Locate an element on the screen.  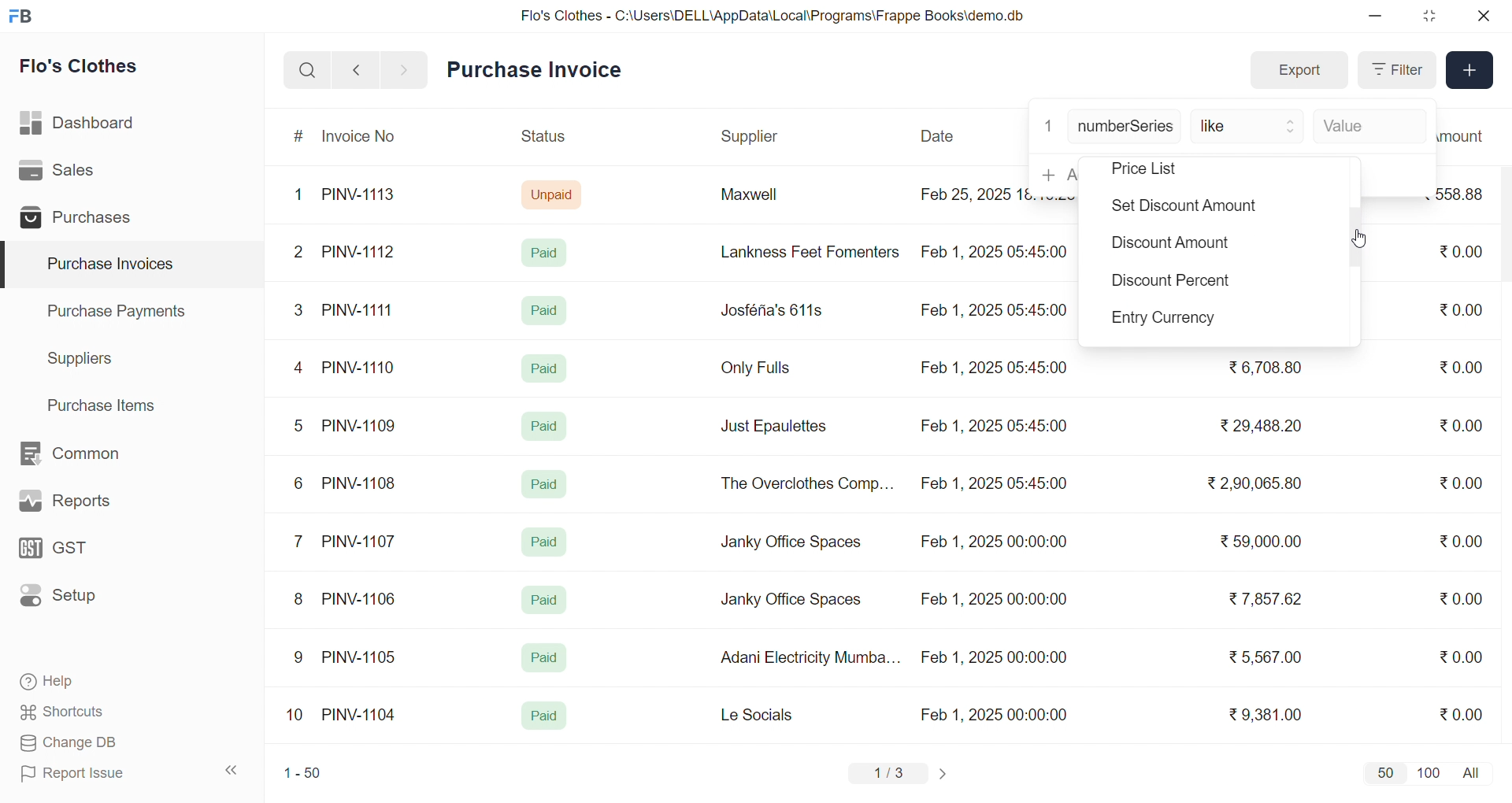
₹ 59,000.00 is located at coordinates (1266, 543).